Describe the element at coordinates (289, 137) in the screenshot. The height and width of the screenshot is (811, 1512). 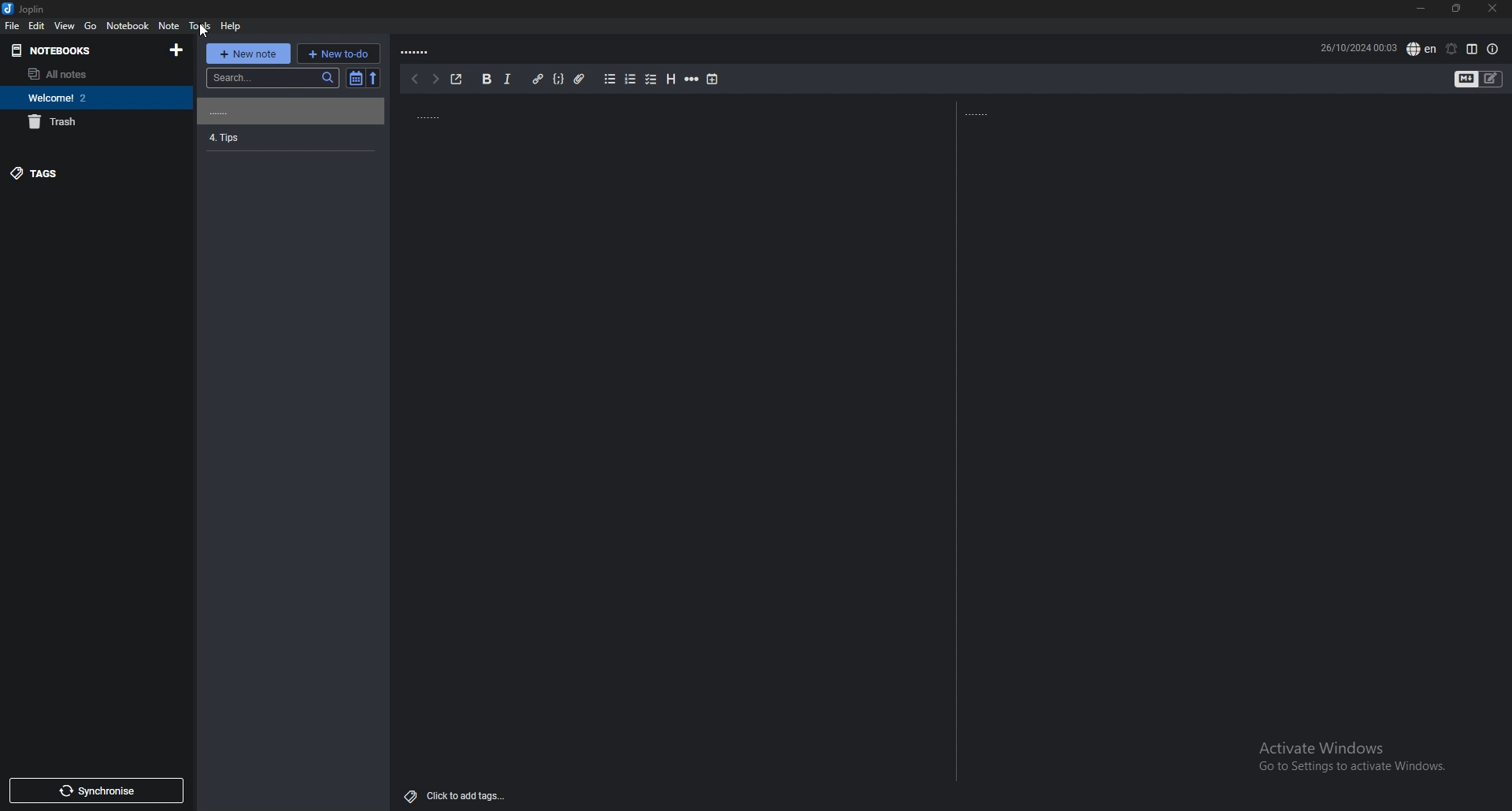
I see `note name` at that location.